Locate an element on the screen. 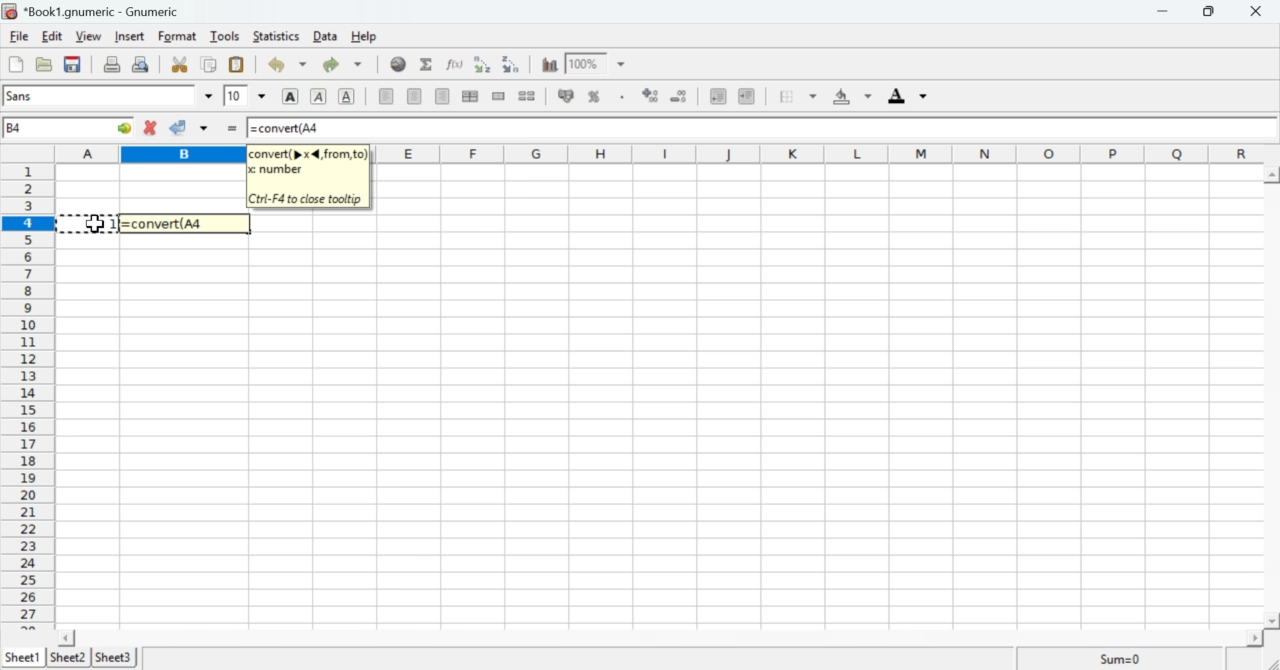 The height and width of the screenshot is (670, 1280). cursor is located at coordinates (95, 225).